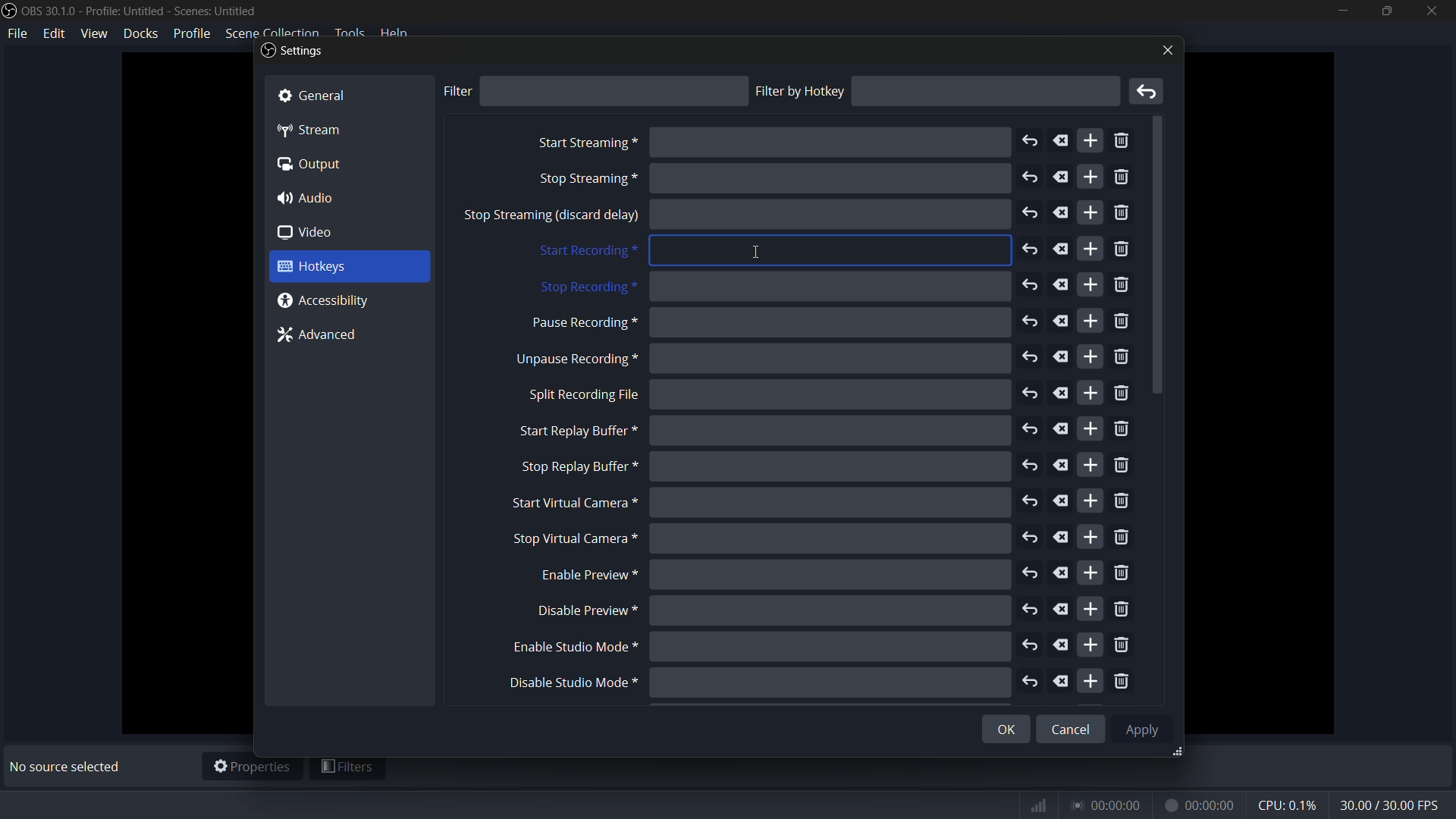 Image resolution: width=1456 pixels, height=819 pixels. What do you see at coordinates (1072, 724) in the screenshot?
I see `Cancel` at bounding box center [1072, 724].